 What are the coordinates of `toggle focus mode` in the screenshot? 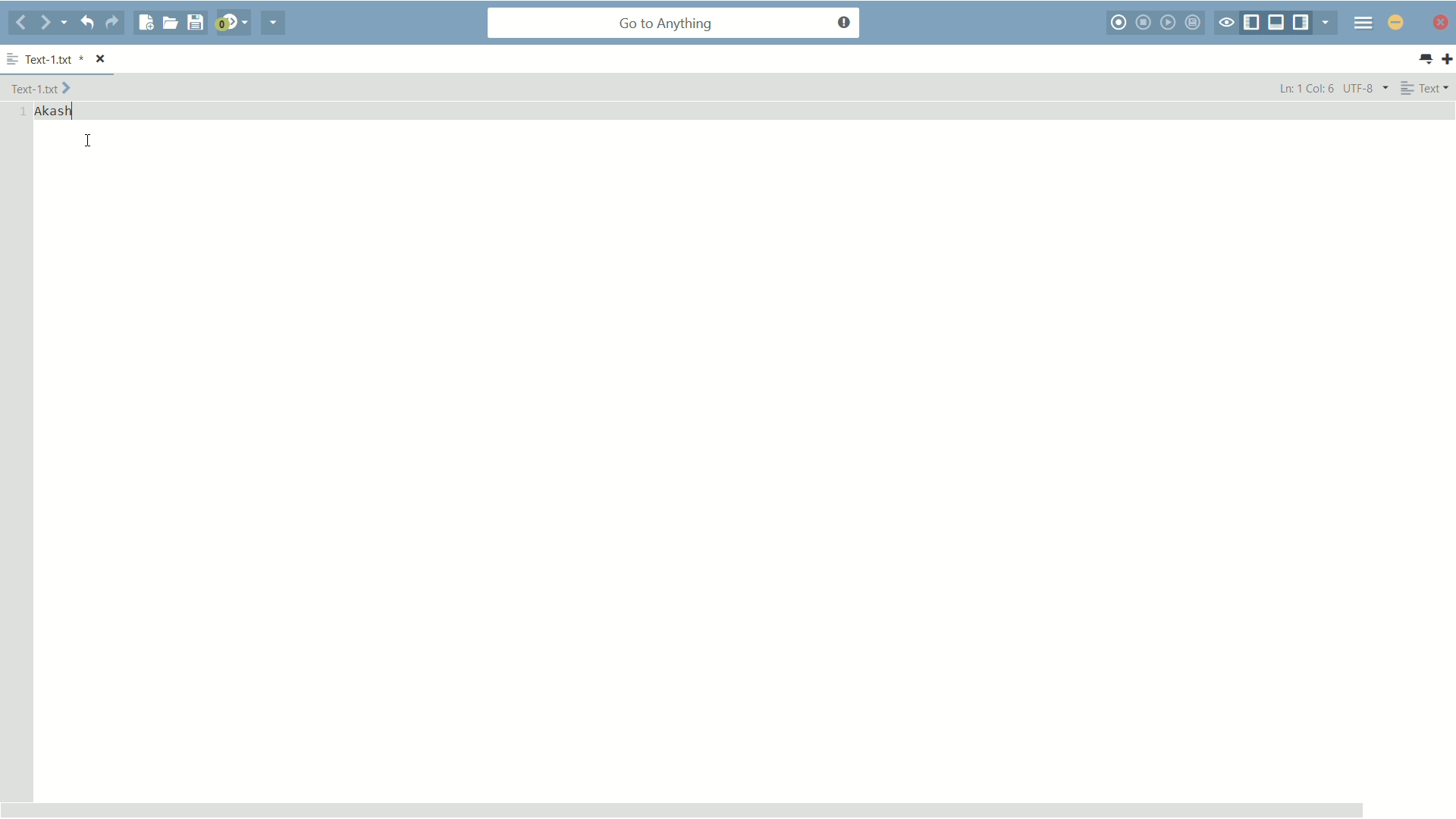 It's located at (1225, 23).